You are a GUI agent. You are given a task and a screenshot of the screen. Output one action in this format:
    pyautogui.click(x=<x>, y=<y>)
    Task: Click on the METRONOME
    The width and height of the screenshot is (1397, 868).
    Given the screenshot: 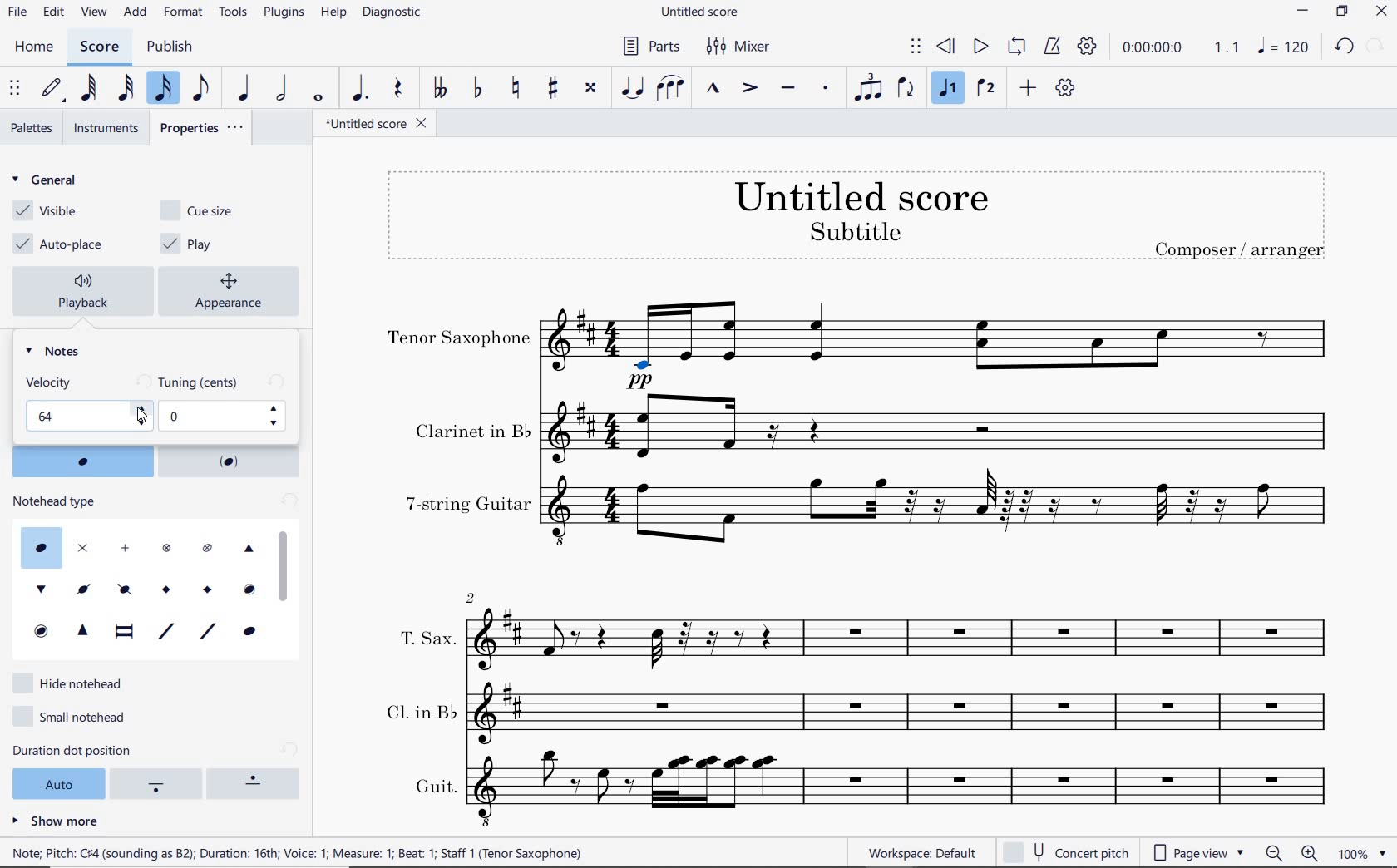 What is the action you would take?
    pyautogui.click(x=1054, y=47)
    